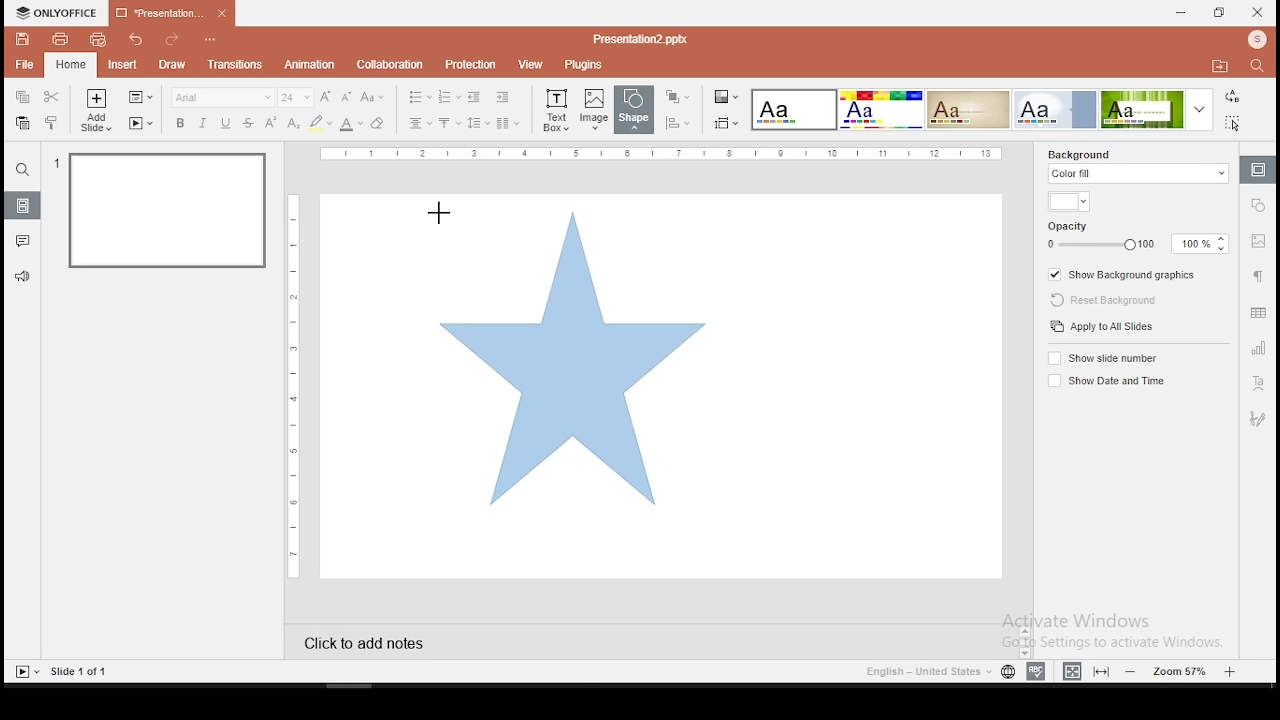 Image resolution: width=1280 pixels, height=720 pixels. Describe the element at coordinates (138, 39) in the screenshot. I see `undo` at that location.